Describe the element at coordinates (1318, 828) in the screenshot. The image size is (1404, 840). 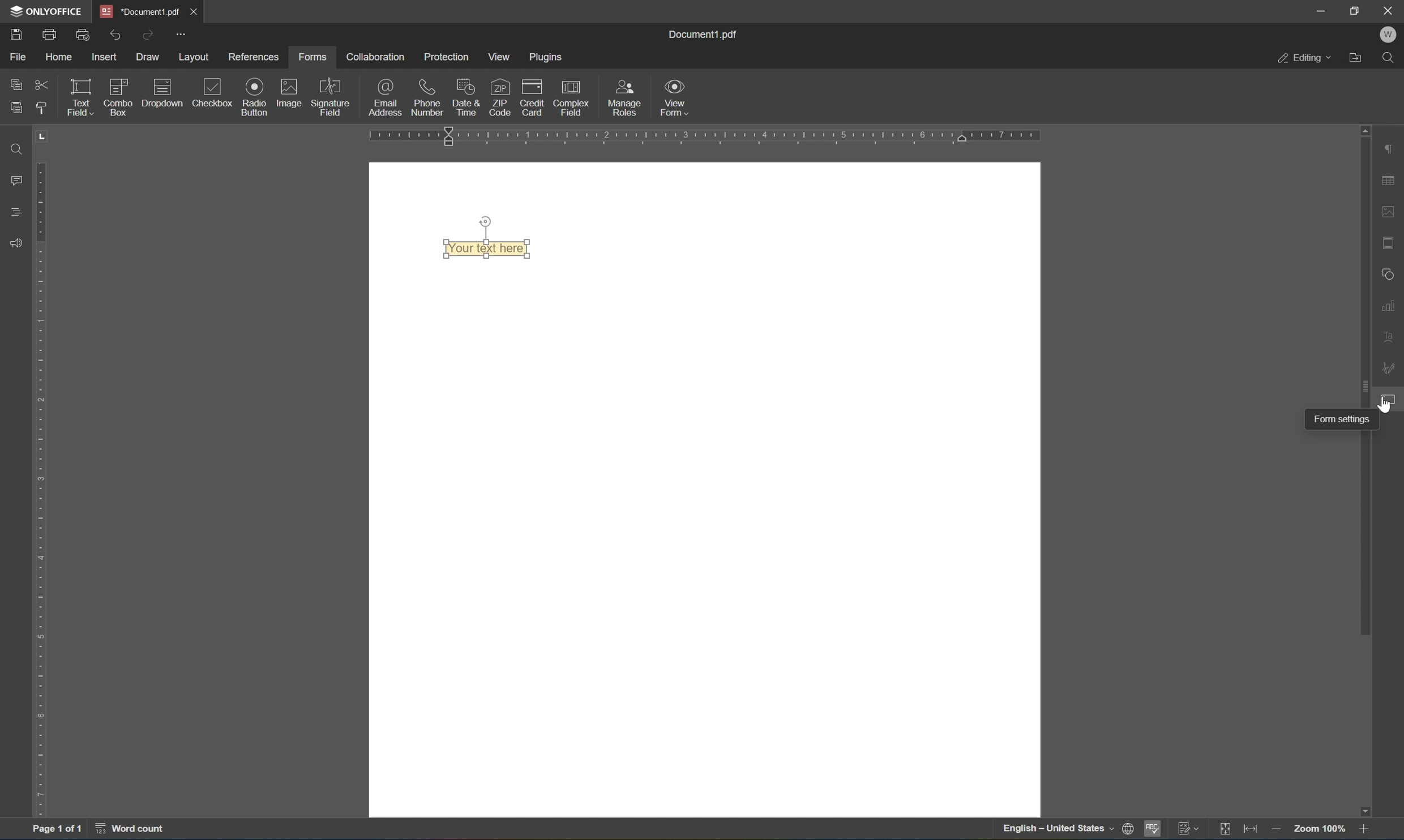
I see `zoom 100%` at that location.